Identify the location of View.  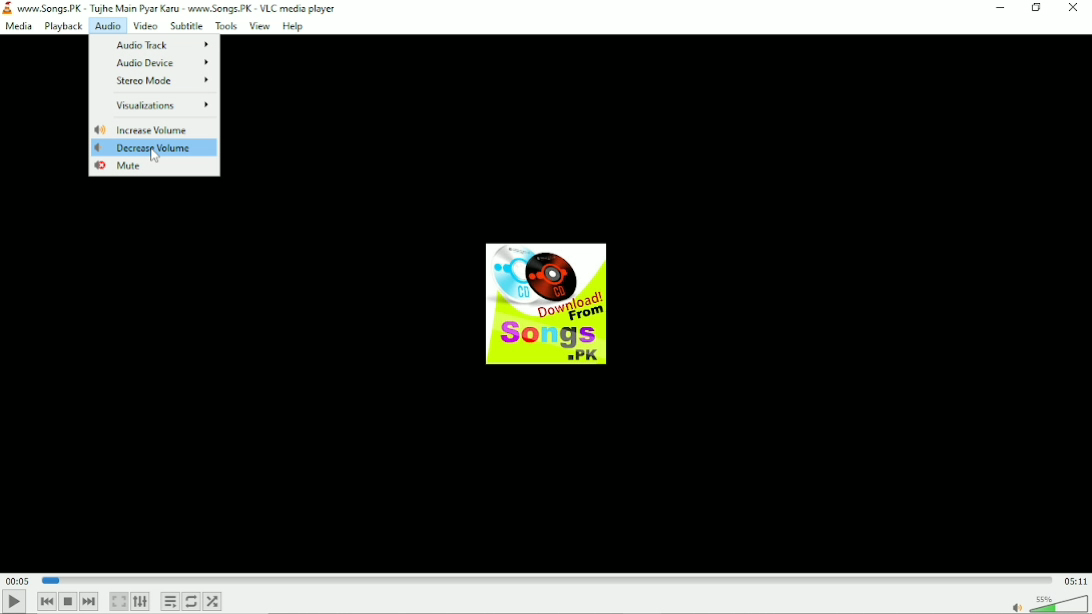
(258, 26).